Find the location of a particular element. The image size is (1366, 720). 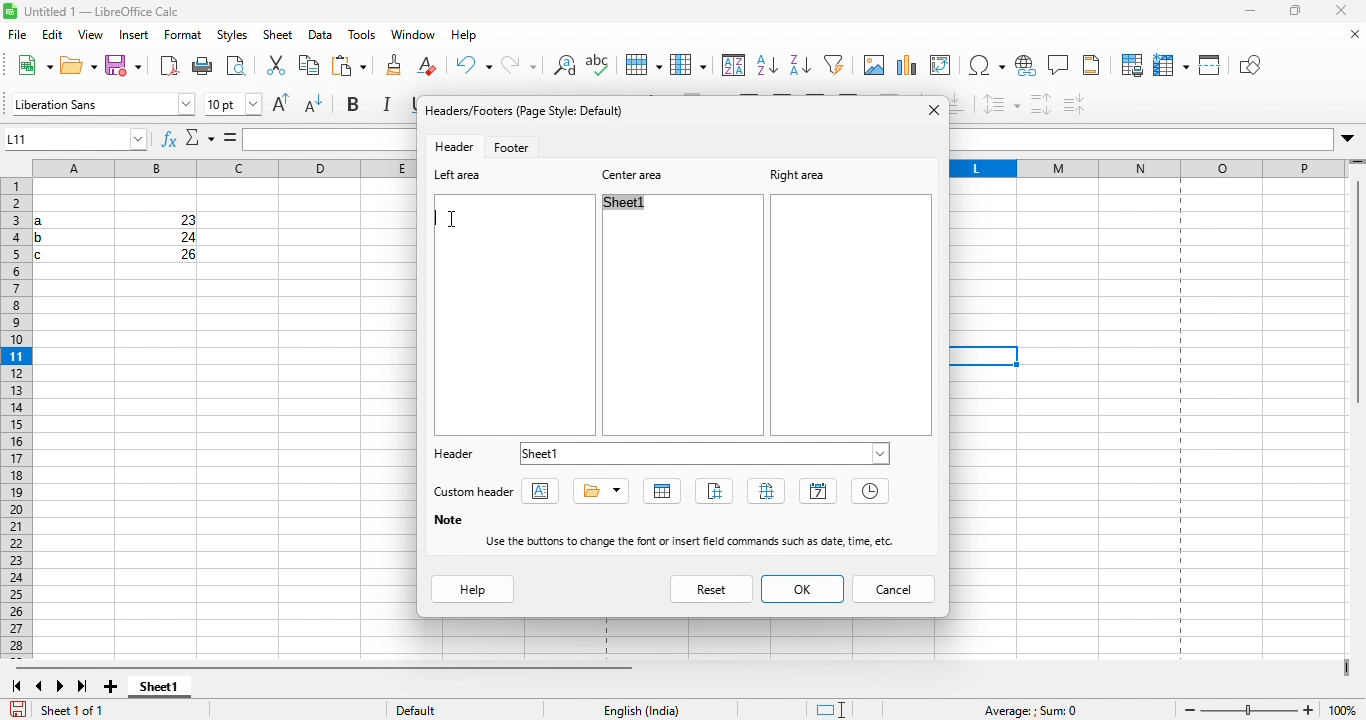

comment is located at coordinates (1060, 67).